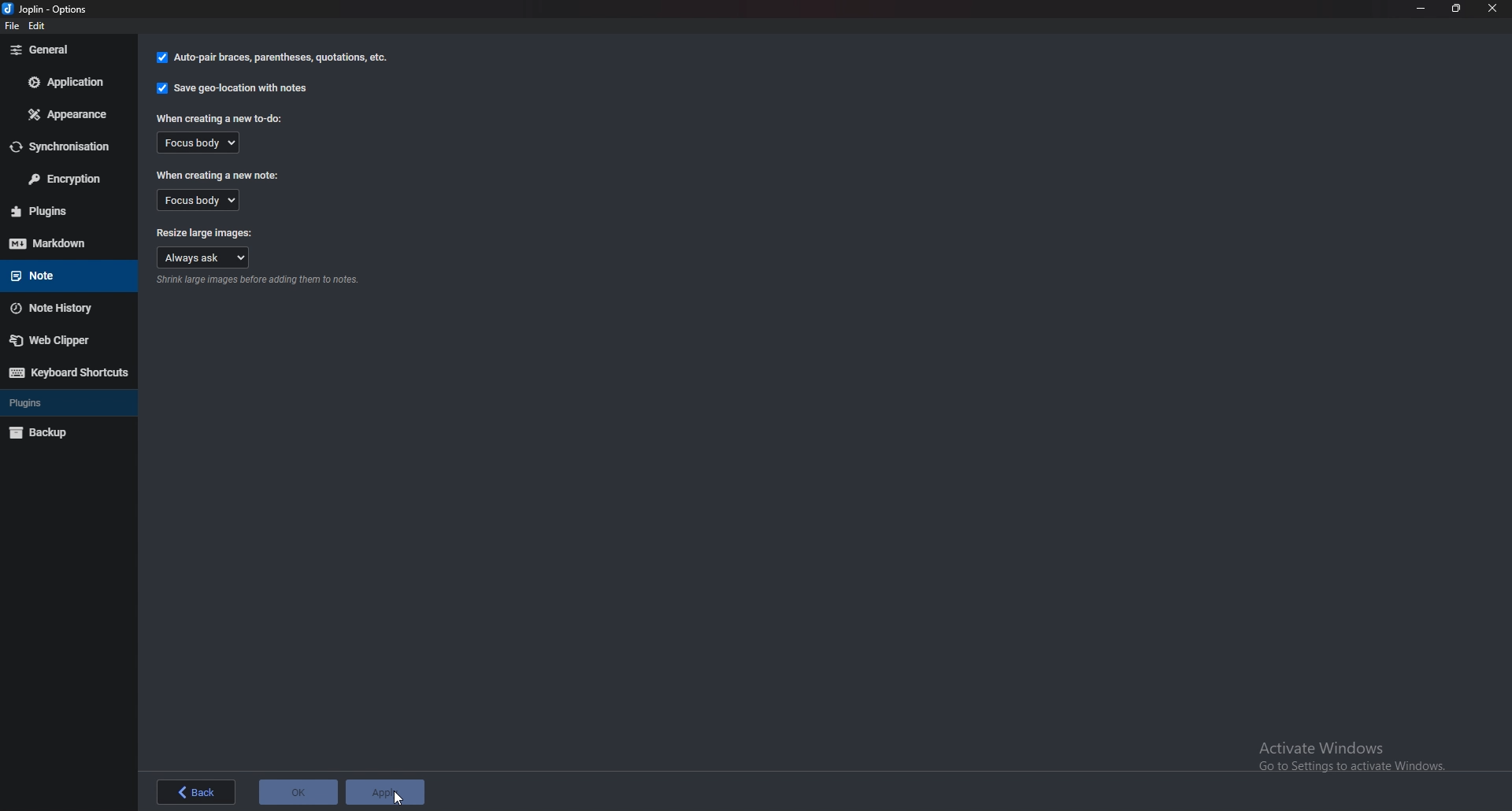 This screenshot has height=811, width=1512. What do you see at coordinates (223, 118) in the screenshot?
I see `When creating a new to do` at bounding box center [223, 118].